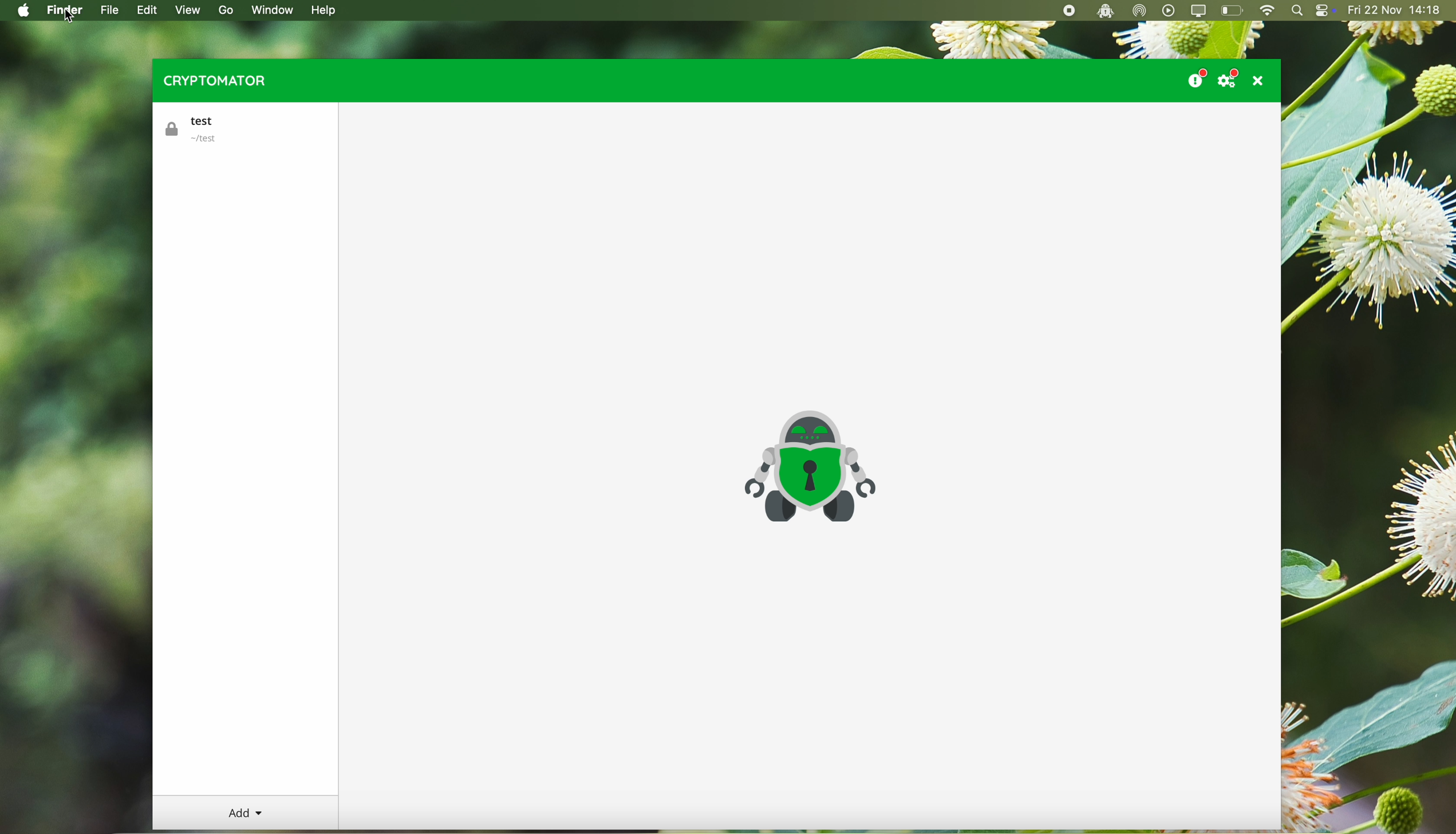 This screenshot has width=1456, height=834. I want to click on file, so click(110, 11).